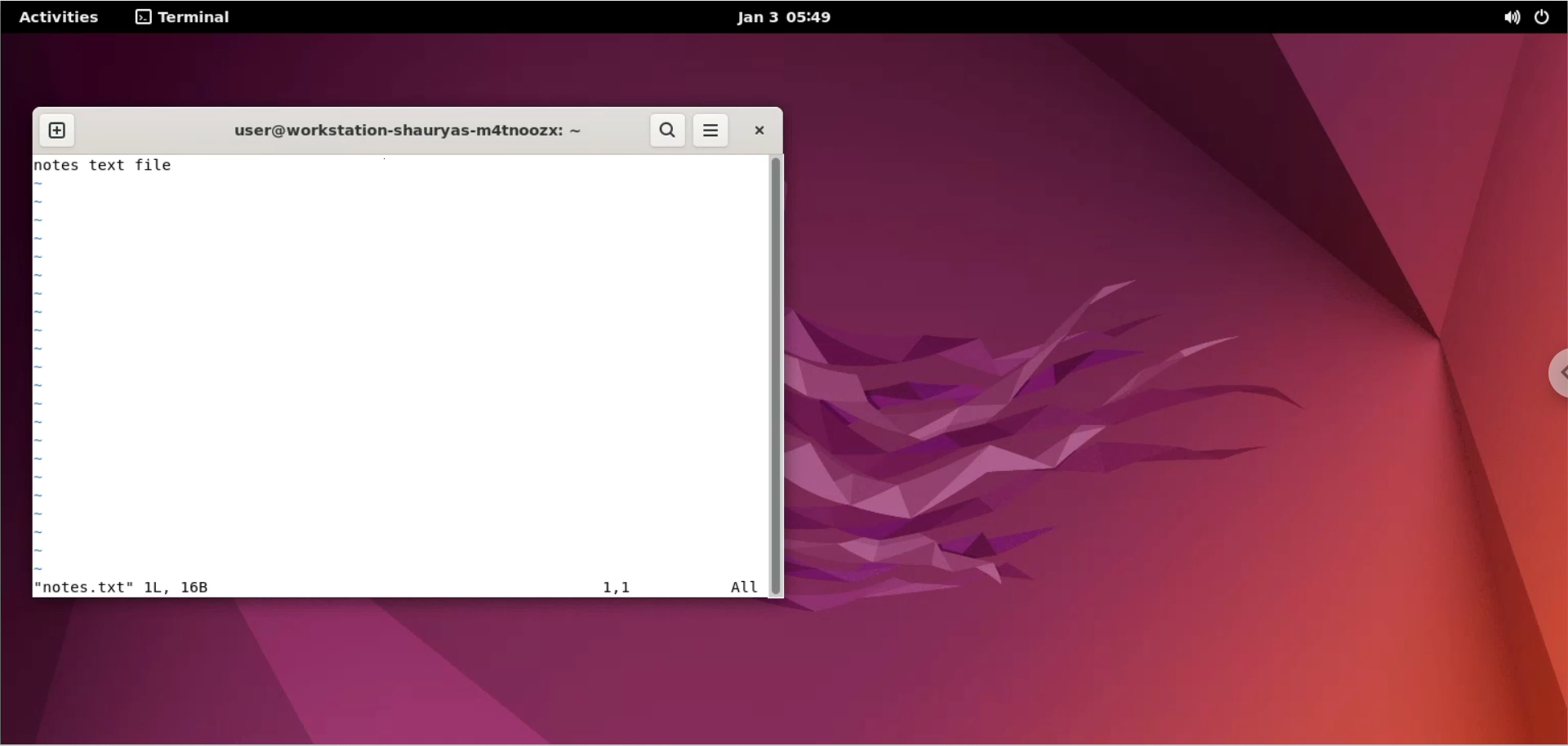 The height and width of the screenshot is (746, 1568). I want to click on "notes.txt", so click(84, 588).